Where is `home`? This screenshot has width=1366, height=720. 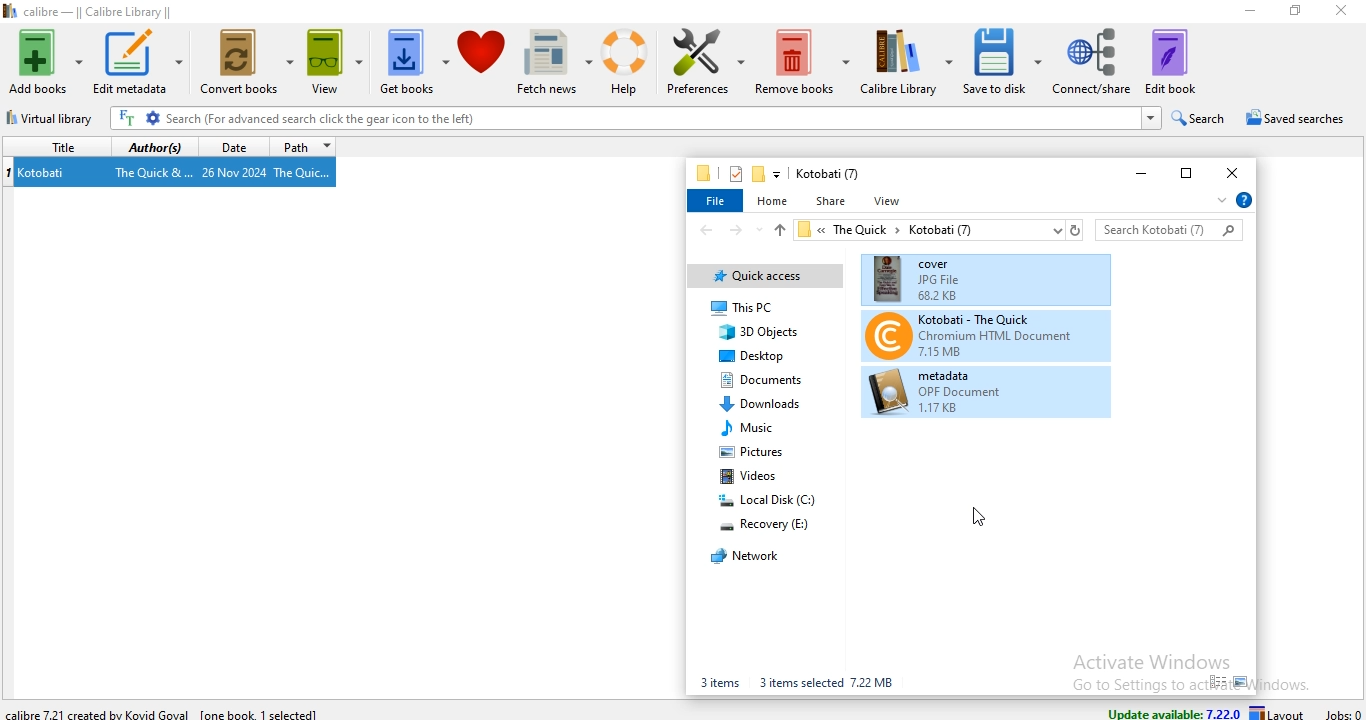 home is located at coordinates (774, 199).